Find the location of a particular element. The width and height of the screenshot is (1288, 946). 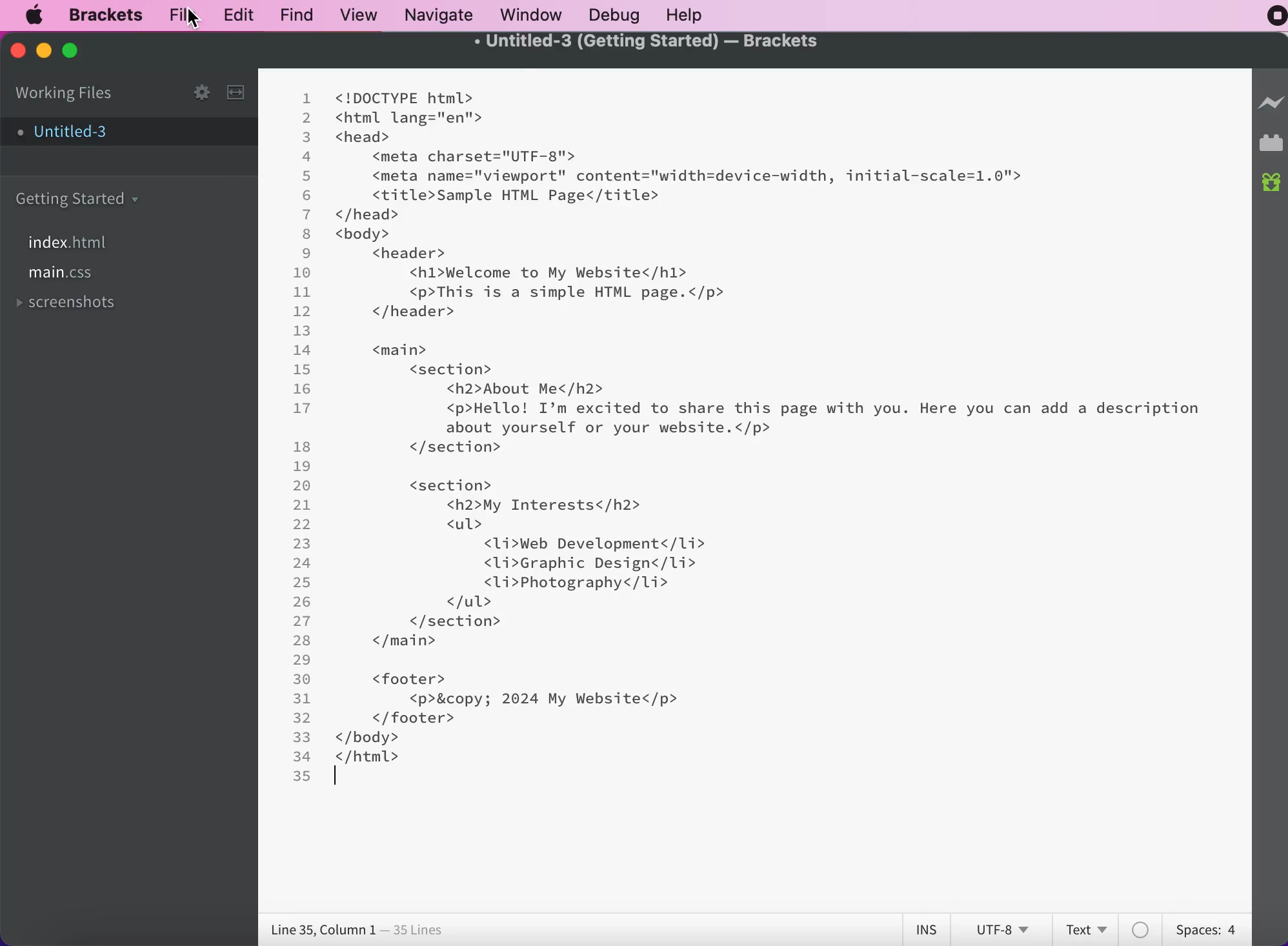

edit is located at coordinates (241, 13).